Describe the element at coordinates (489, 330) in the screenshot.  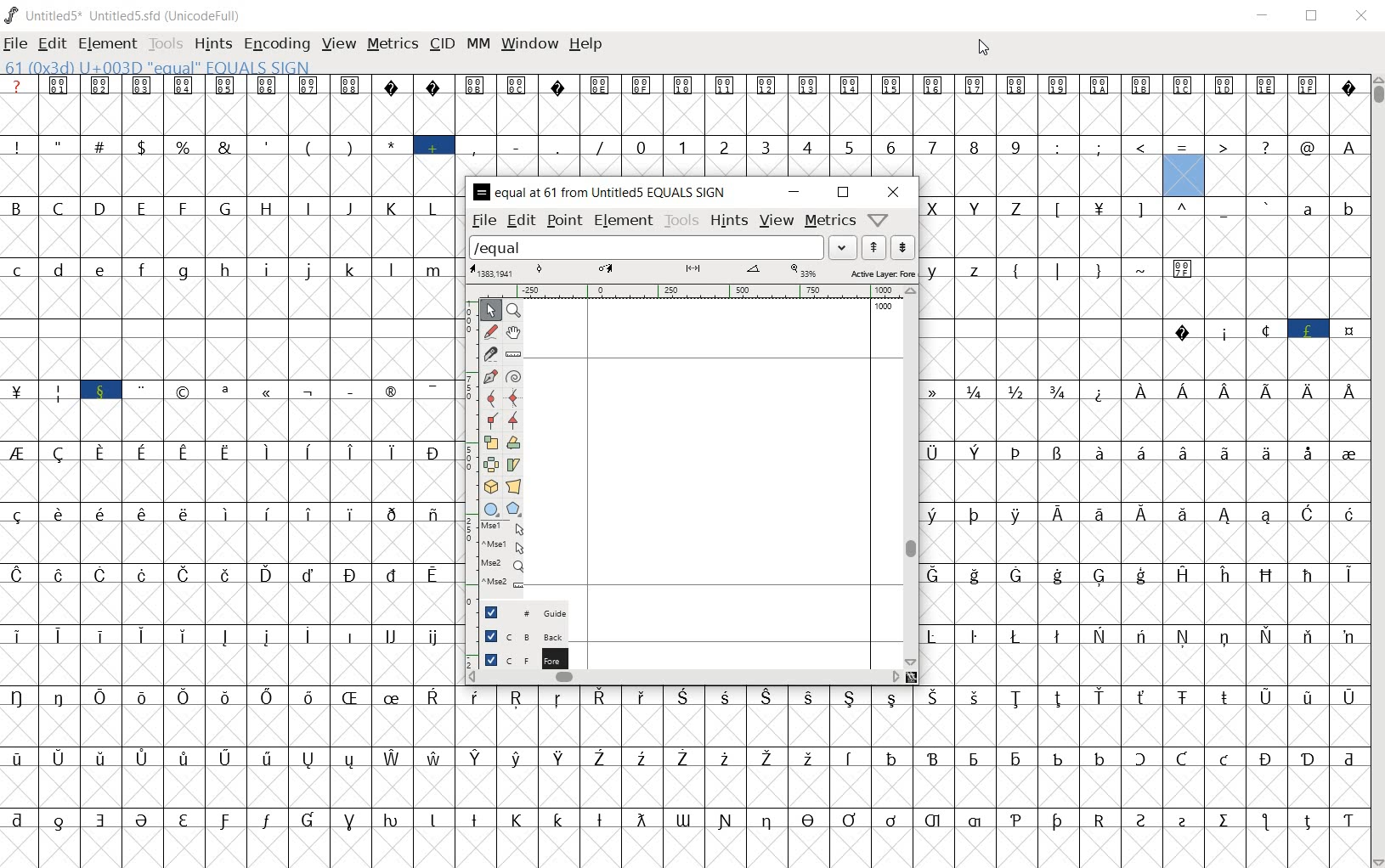
I see `draw a freehand curve` at that location.